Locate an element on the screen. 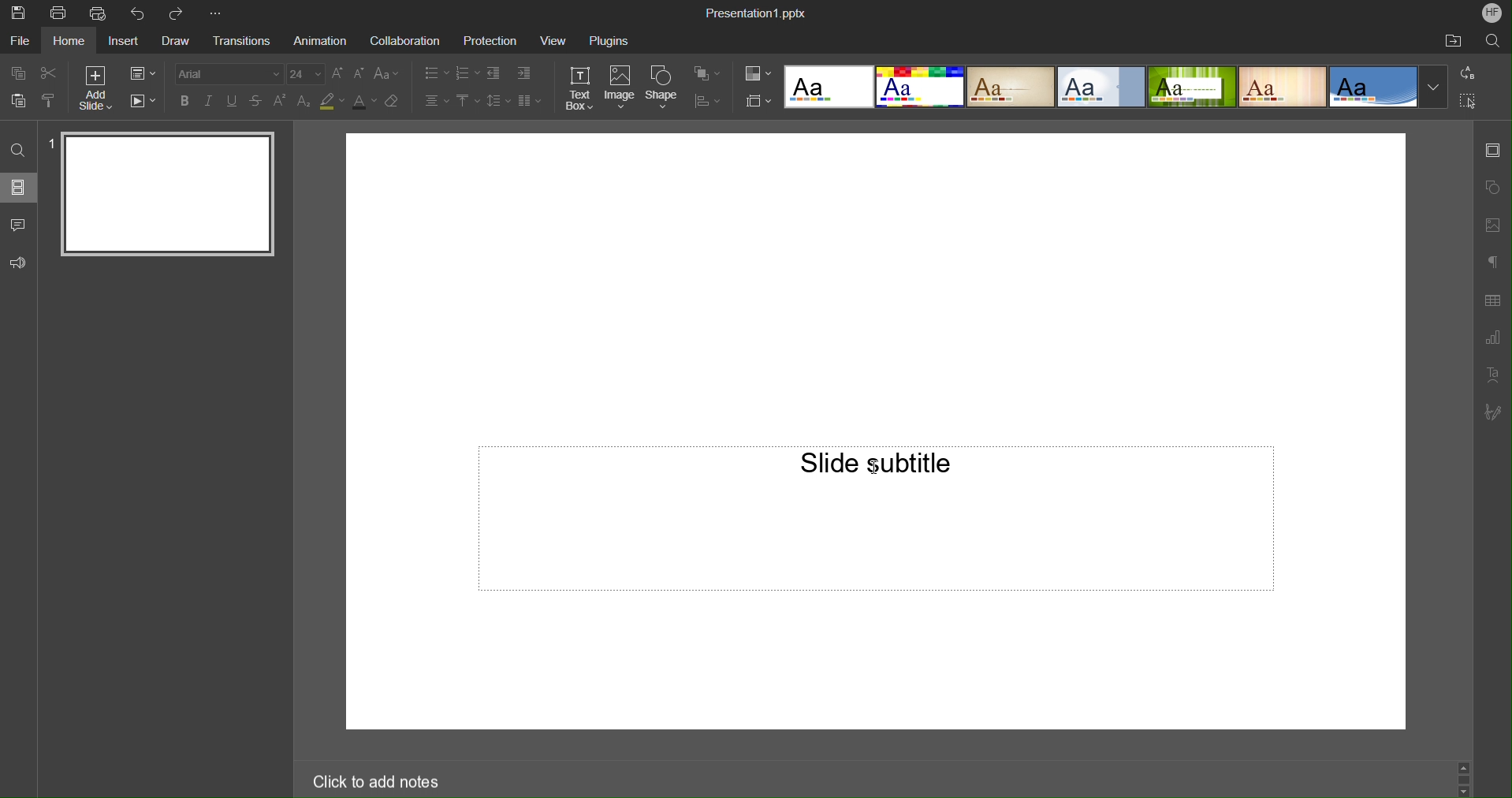  slide number is located at coordinates (50, 144).